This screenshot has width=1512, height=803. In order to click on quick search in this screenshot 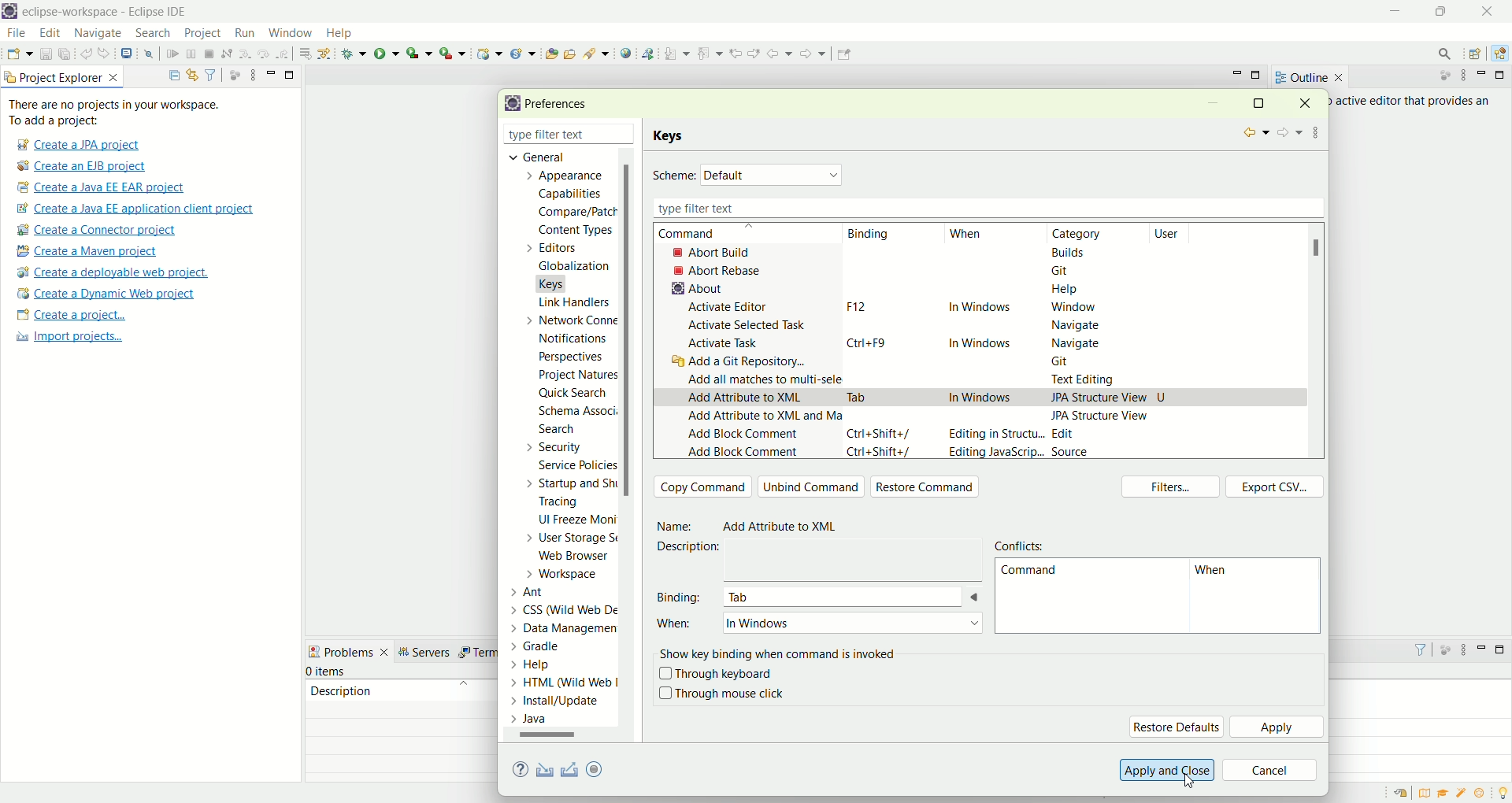, I will do `click(573, 395)`.